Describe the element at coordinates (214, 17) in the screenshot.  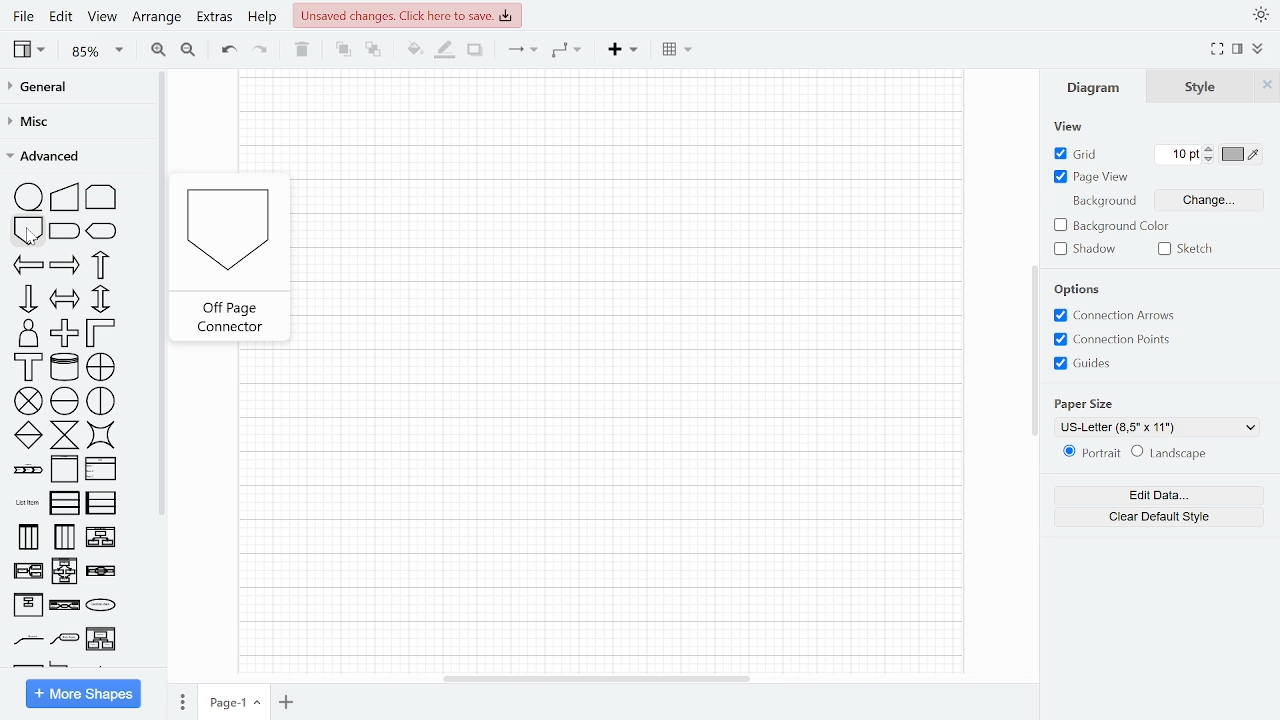
I see `Extras` at that location.